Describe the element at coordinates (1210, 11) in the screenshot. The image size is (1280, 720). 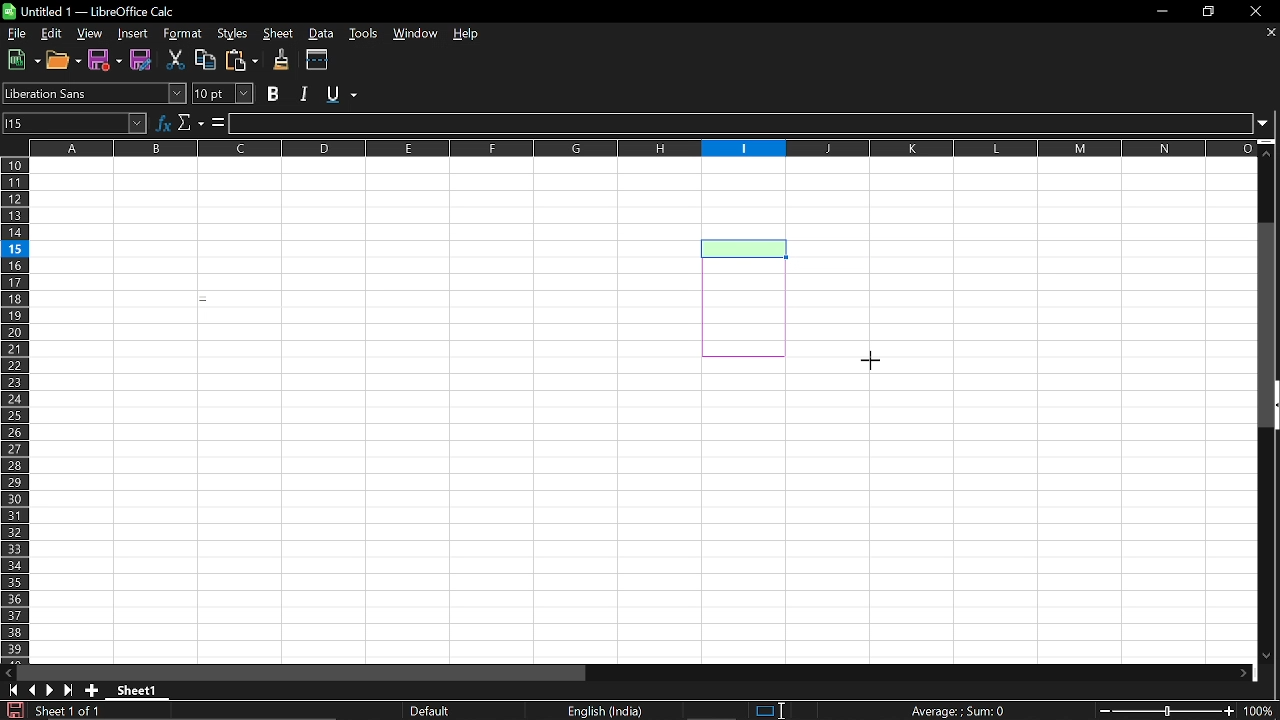
I see `Restore down` at that location.